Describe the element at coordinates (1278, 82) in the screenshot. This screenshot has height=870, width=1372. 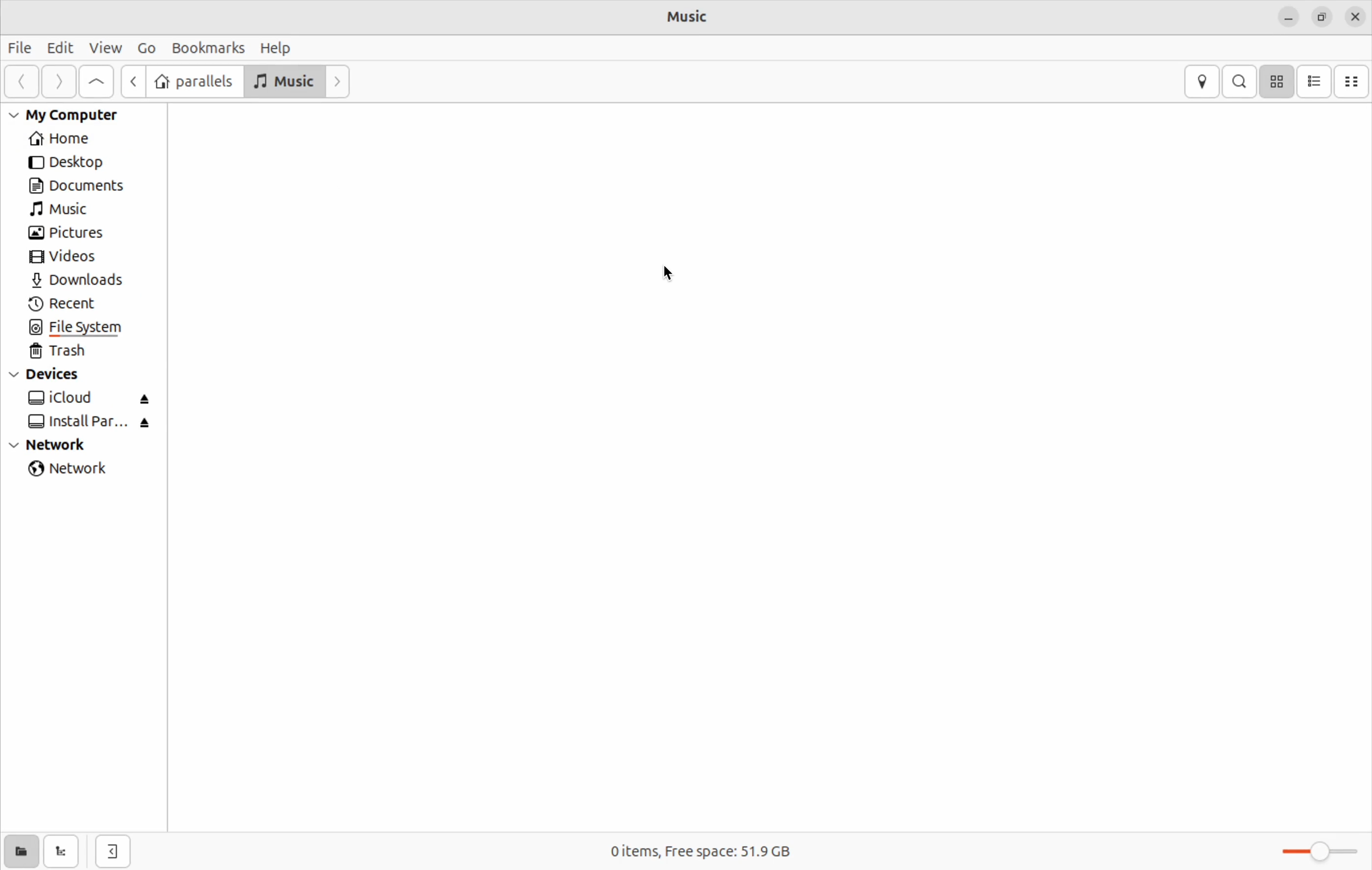
I see `icon view` at that location.